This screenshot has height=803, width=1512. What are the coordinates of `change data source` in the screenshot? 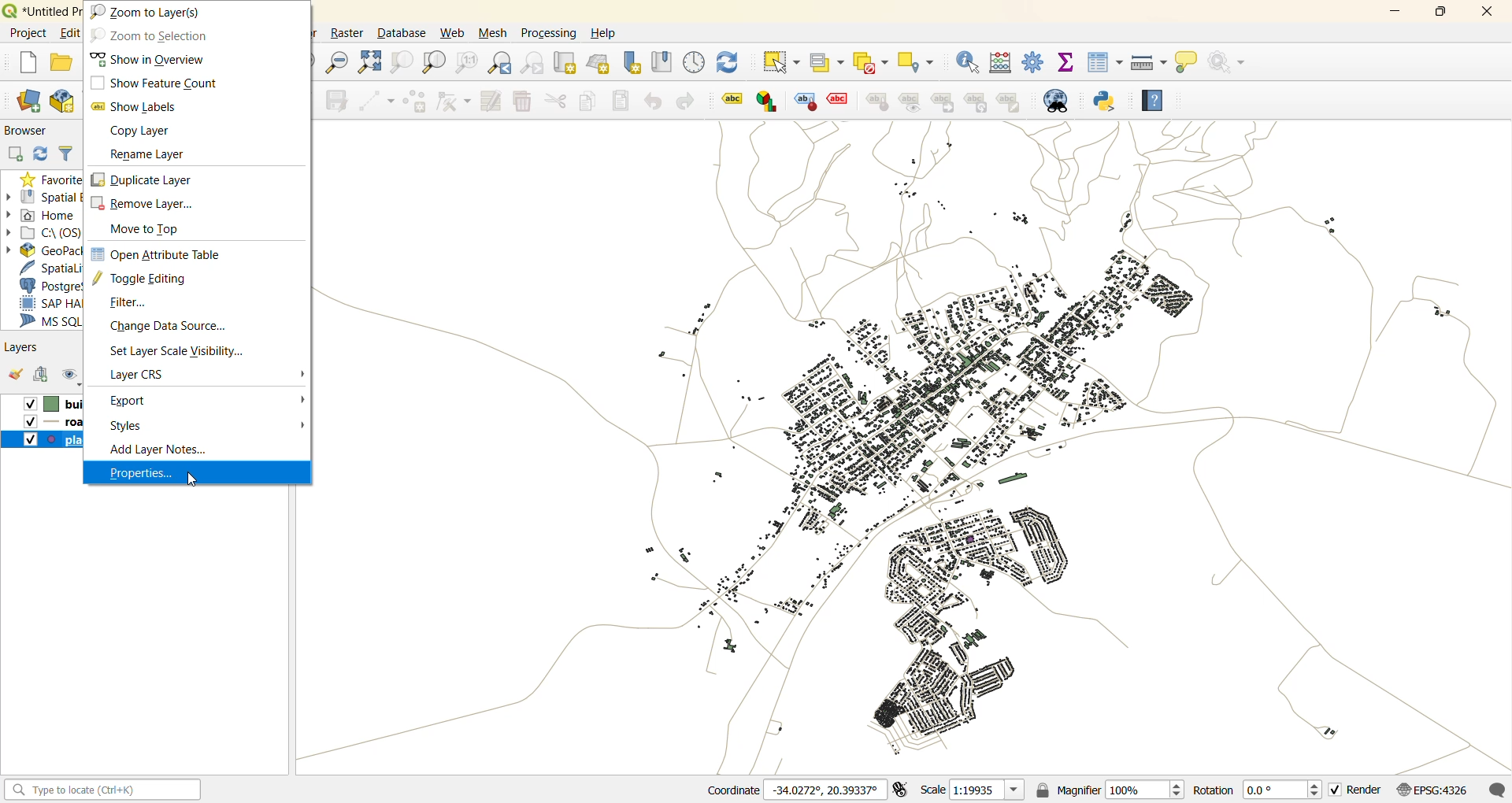 It's located at (166, 326).